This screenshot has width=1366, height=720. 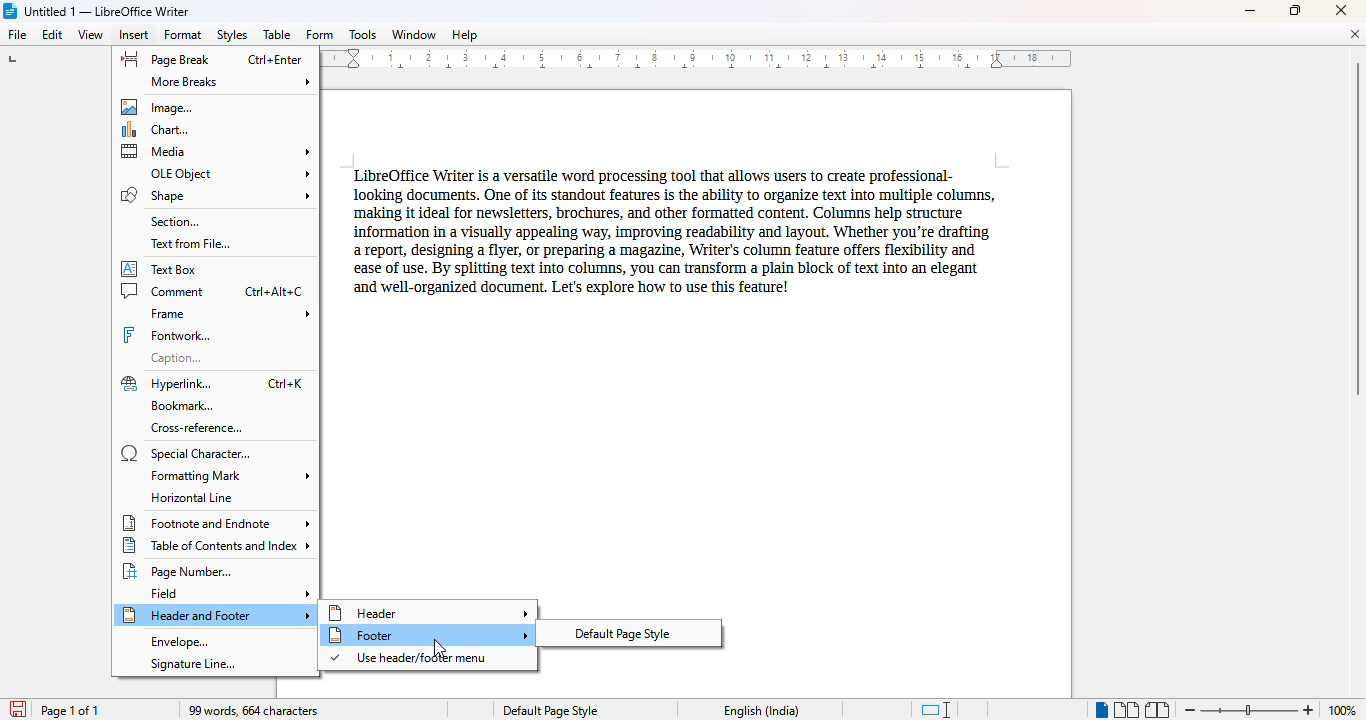 I want to click on maximize, so click(x=1295, y=9).